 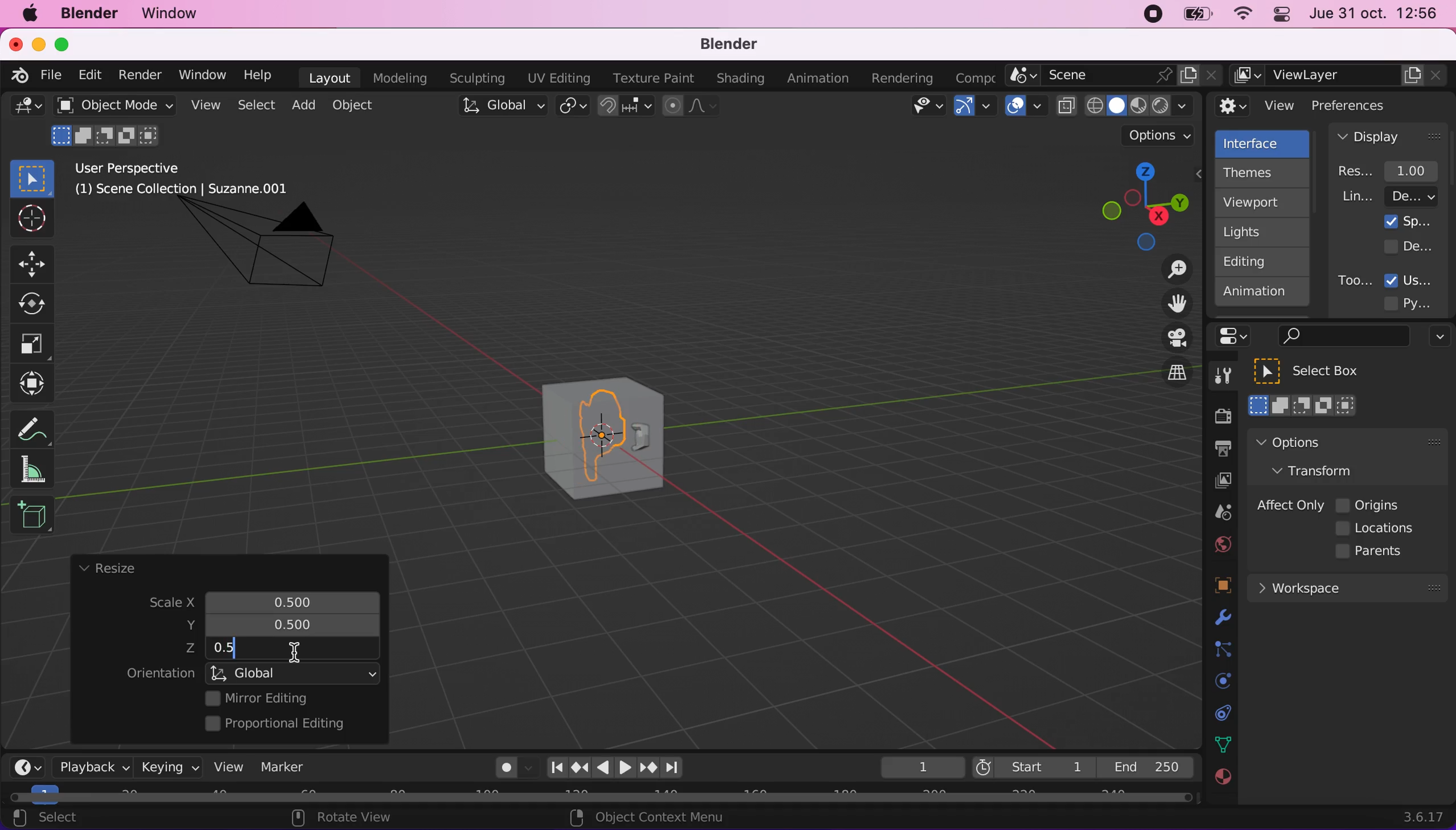 What do you see at coordinates (649, 770) in the screenshot?
I see `jump to keyframe` at bounding box center [649, 770].